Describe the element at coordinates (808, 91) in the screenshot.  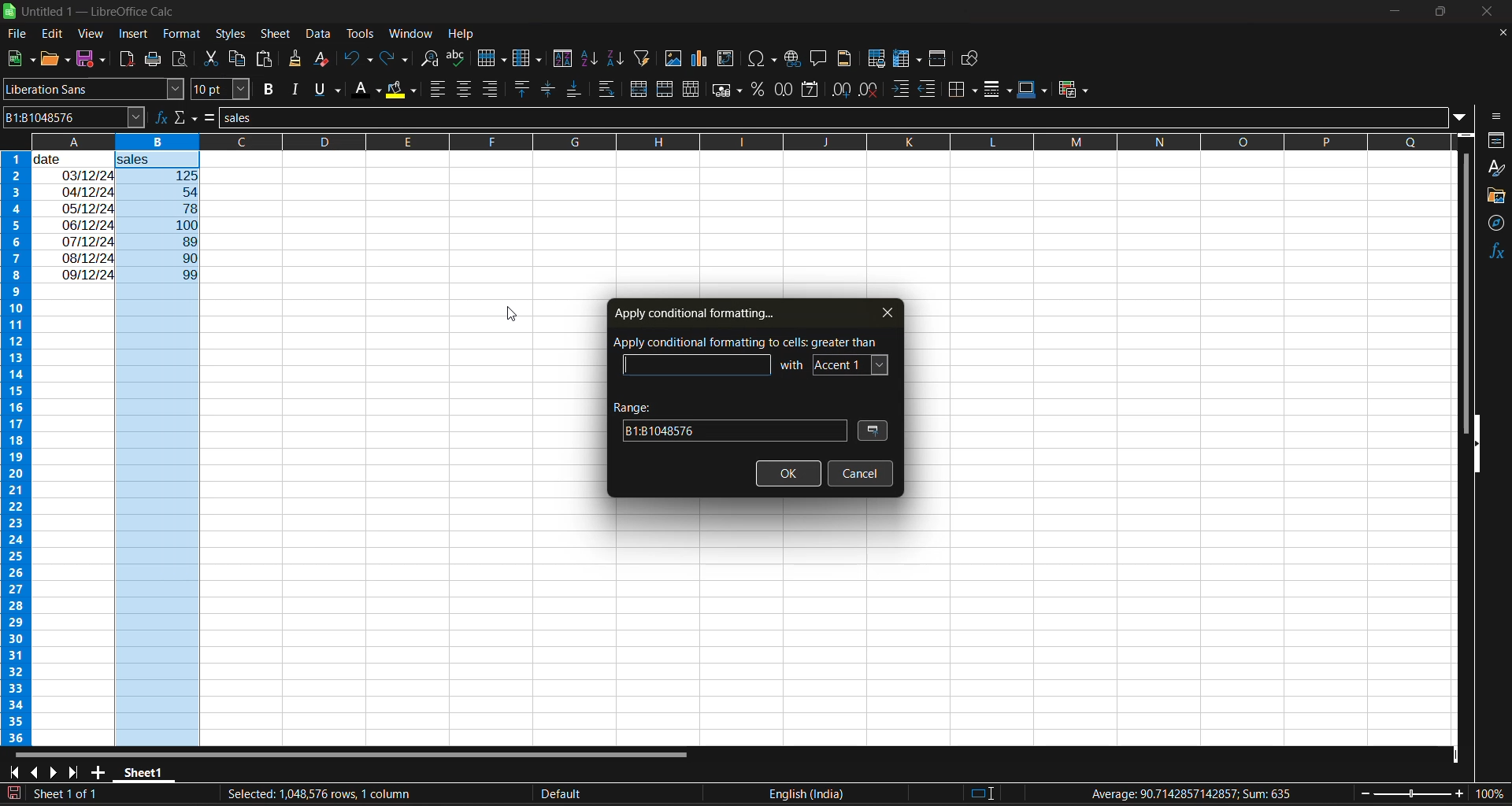
I see `format as date` at that location.